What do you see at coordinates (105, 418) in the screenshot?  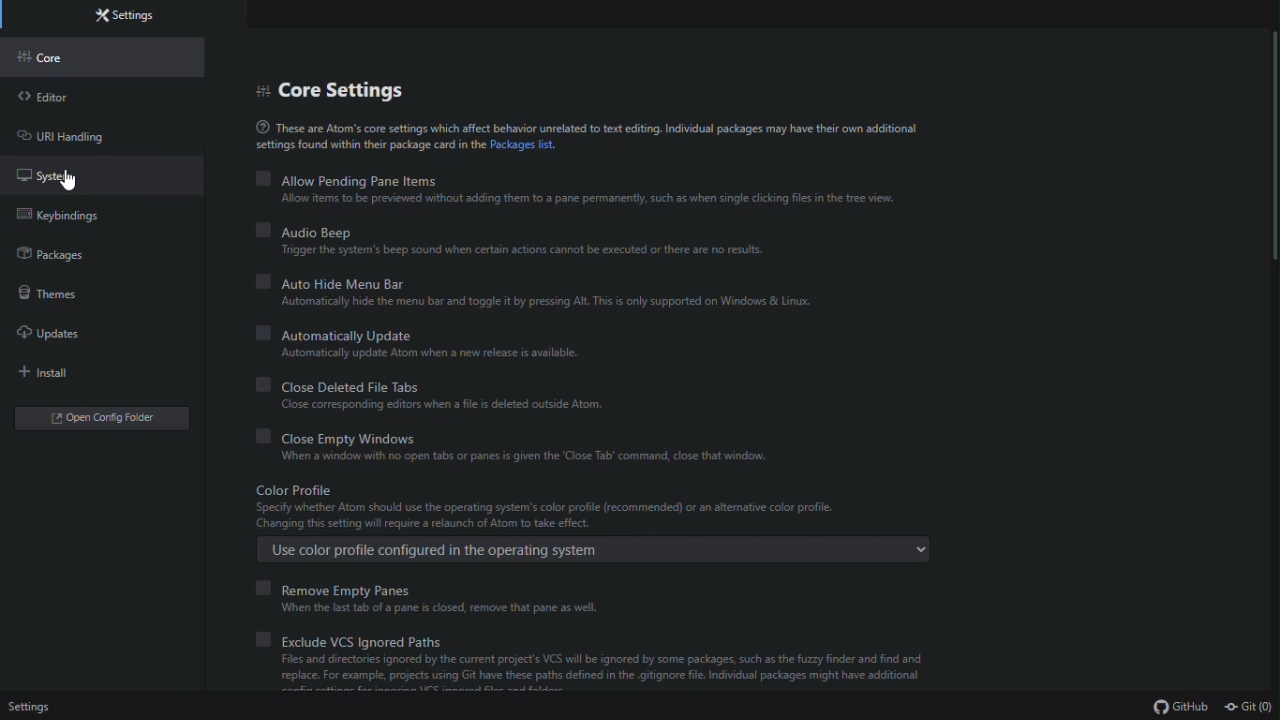 I see `open folder` at bounding box center [105, 418].